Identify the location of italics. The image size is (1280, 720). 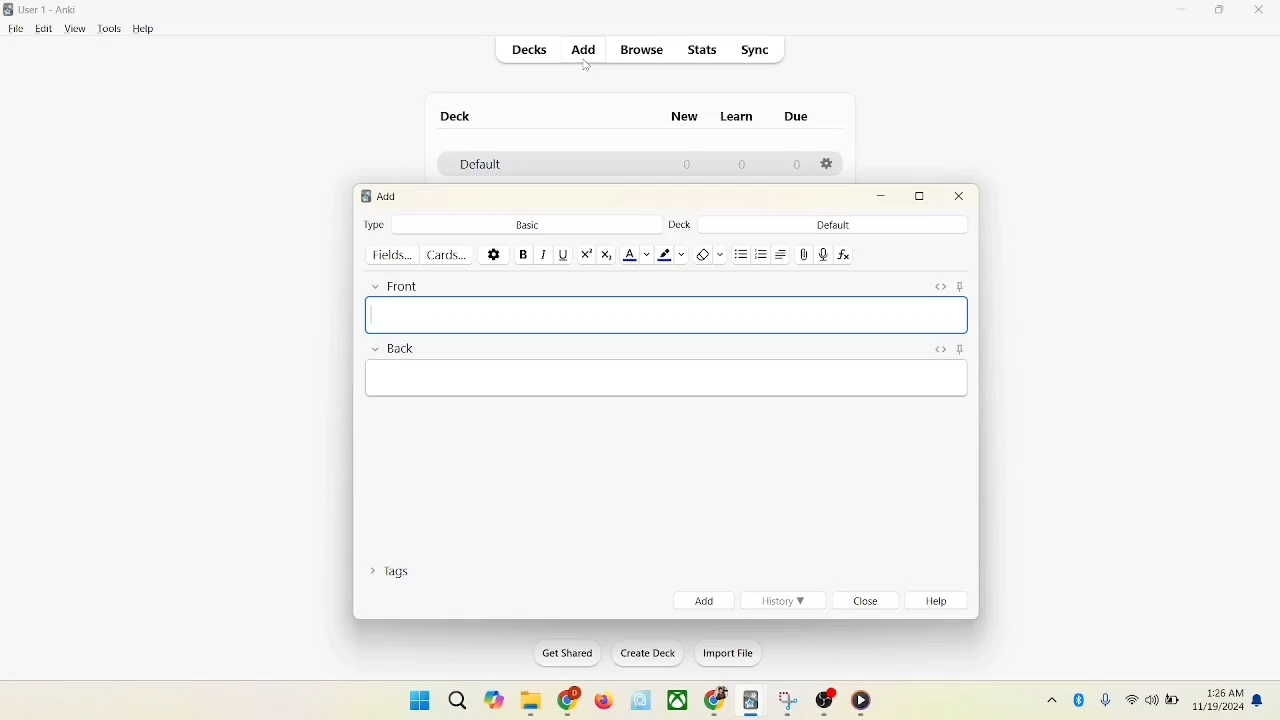
(542, 255).